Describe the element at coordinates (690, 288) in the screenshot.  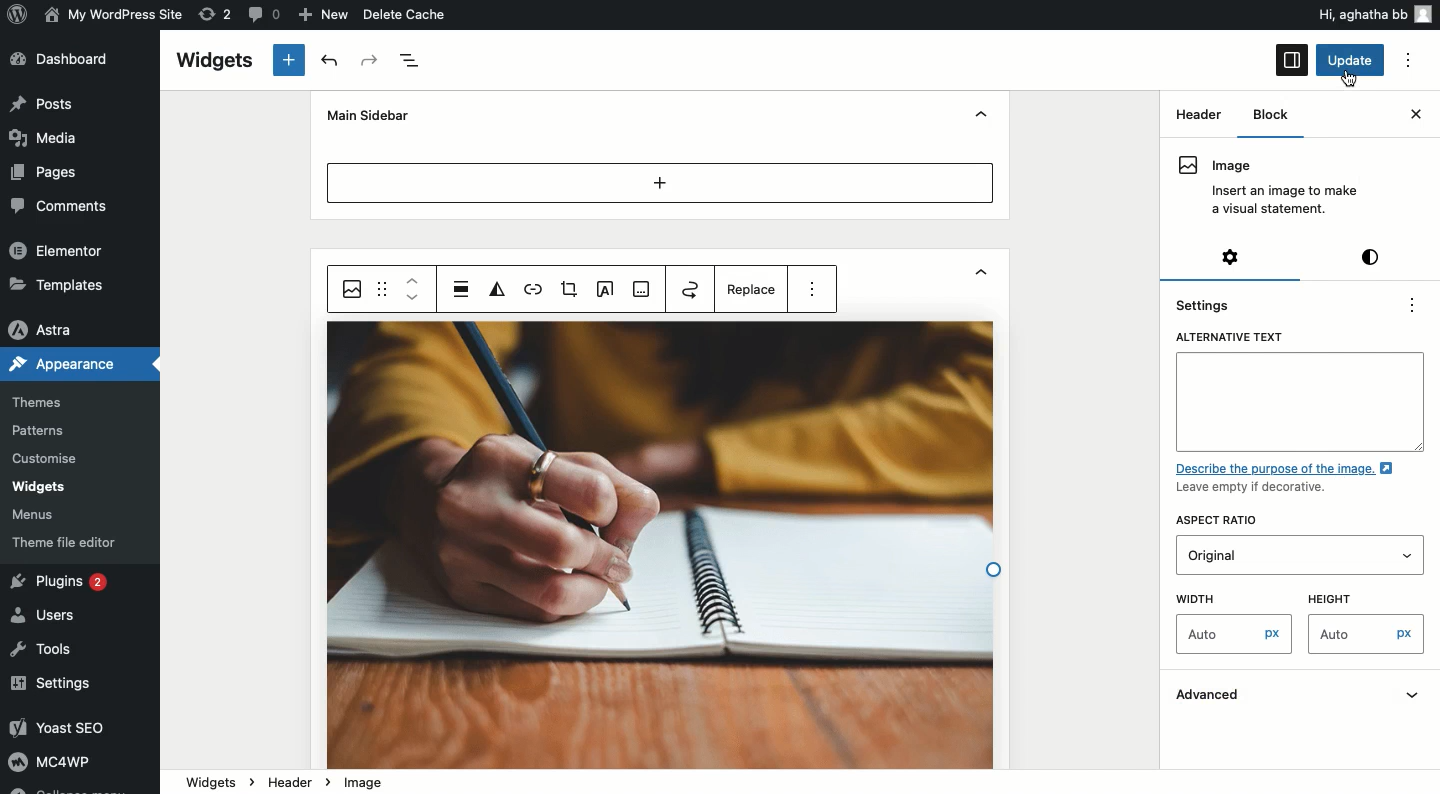
I see `Draw` at that location.